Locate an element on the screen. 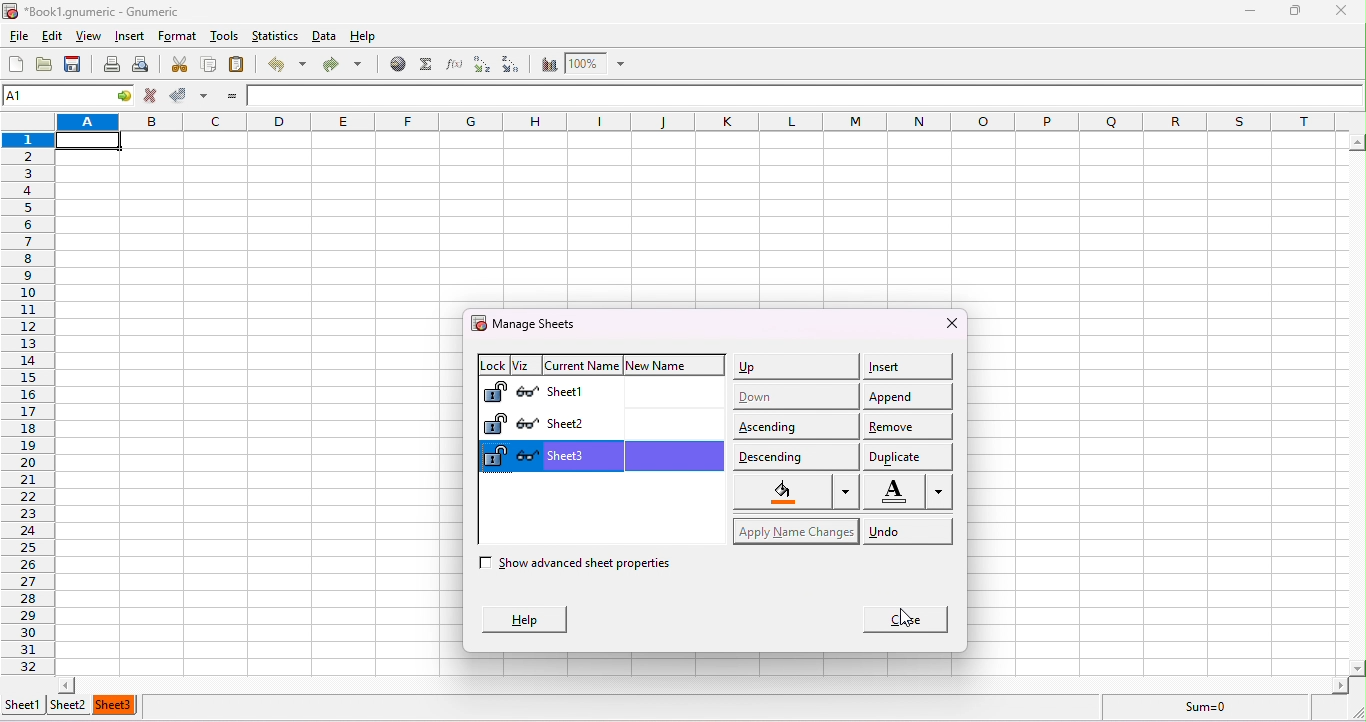 The width and height of the screenshot is (1366, 722). sheet 1 is located at coordinates (632, 394).